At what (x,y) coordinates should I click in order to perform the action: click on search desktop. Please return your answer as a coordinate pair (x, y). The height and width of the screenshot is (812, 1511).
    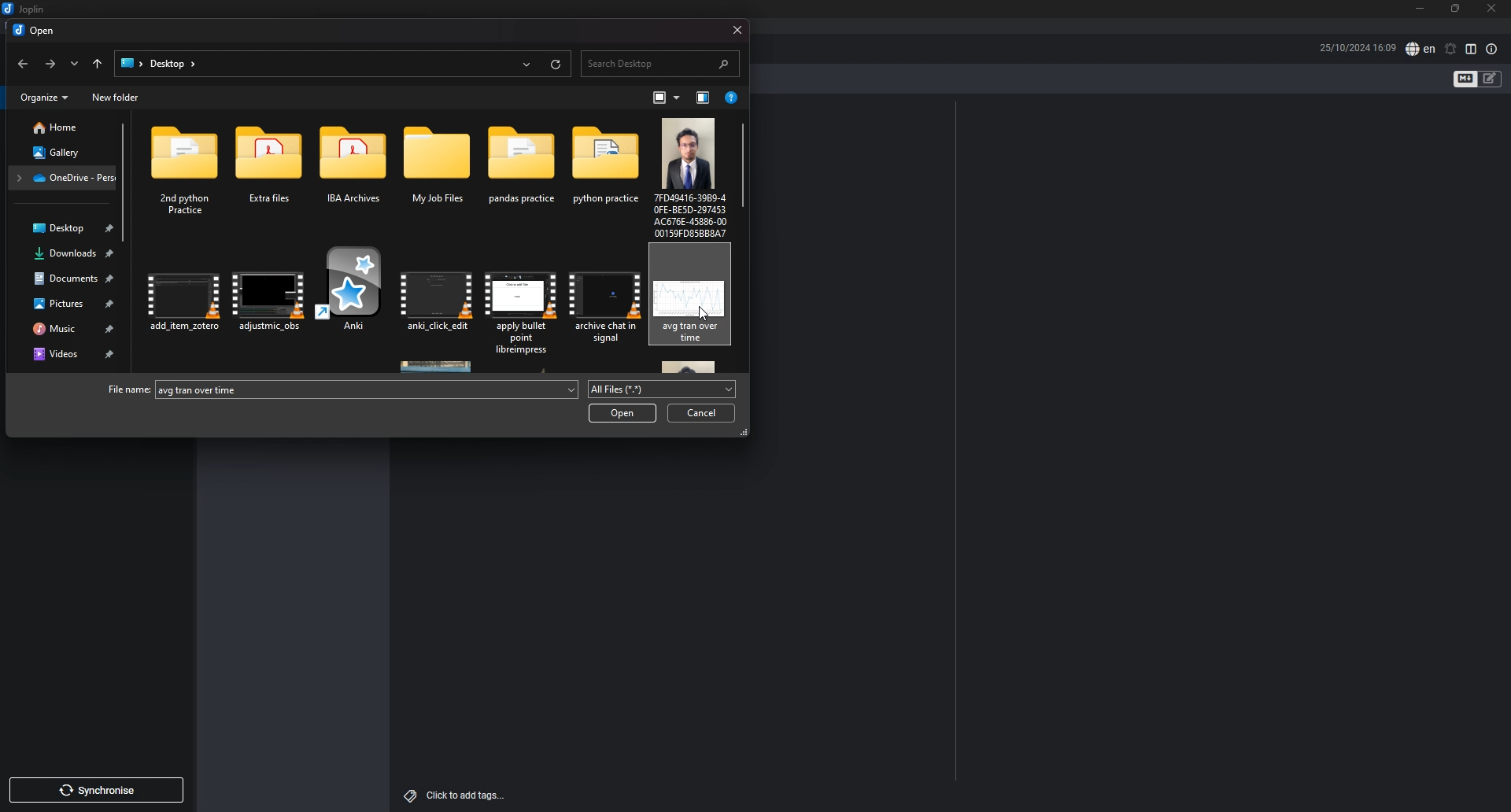
    Looking at the image, I should click on (661, 63).